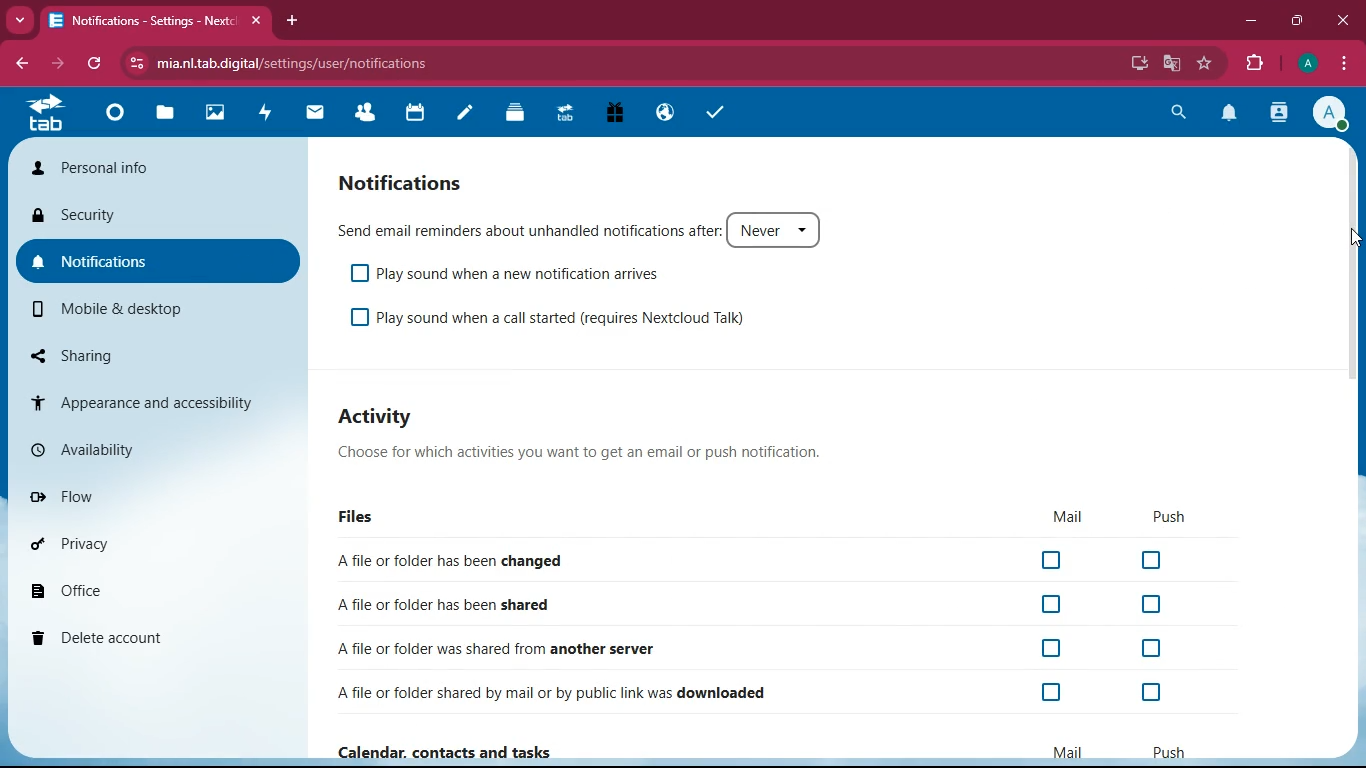 This screenshot has height=768, width=1366. Describe the element at coordinates (58, 62) in the screenshot. I see `forward` at that location.